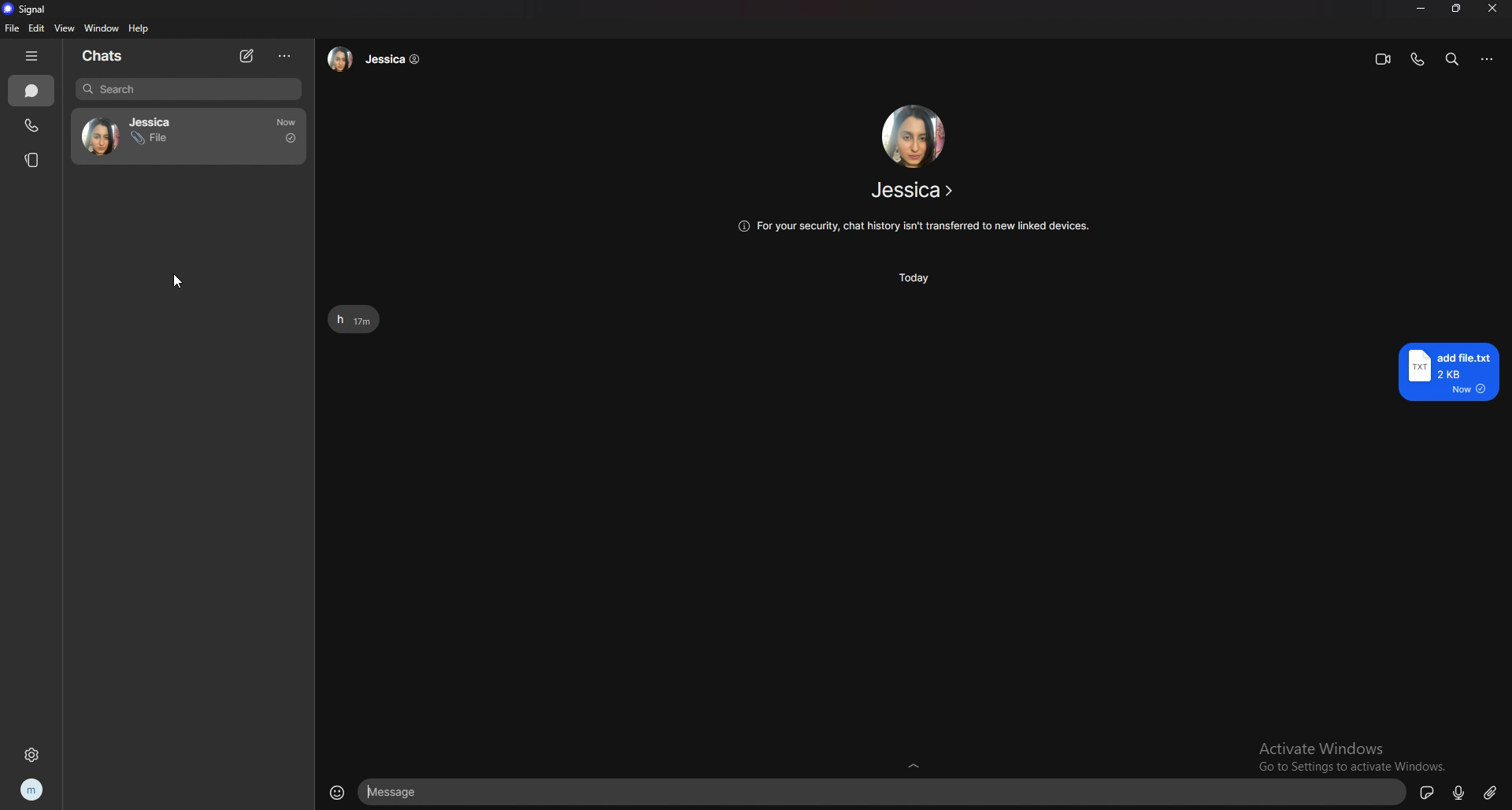 Image resolution: width=1512 pixels, height=810 pixels. What do you see at coordinates (1384, 60) in the screenshot?
I see `video call` at bounding box center [1384, 60].